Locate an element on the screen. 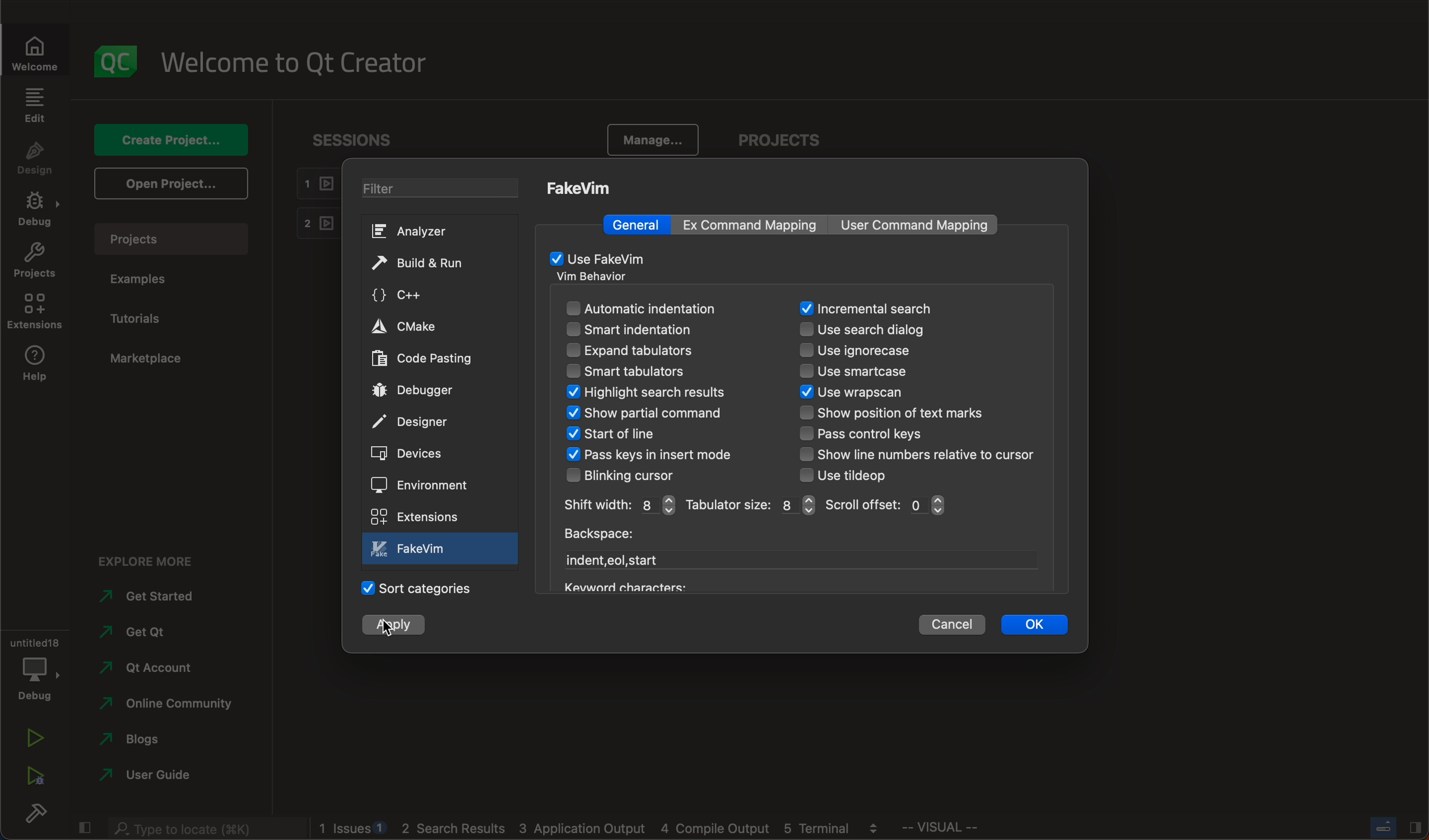 Image resolution: width=1429 pixels, height=840 pixels. scroll is located at coordinates (887, 505).